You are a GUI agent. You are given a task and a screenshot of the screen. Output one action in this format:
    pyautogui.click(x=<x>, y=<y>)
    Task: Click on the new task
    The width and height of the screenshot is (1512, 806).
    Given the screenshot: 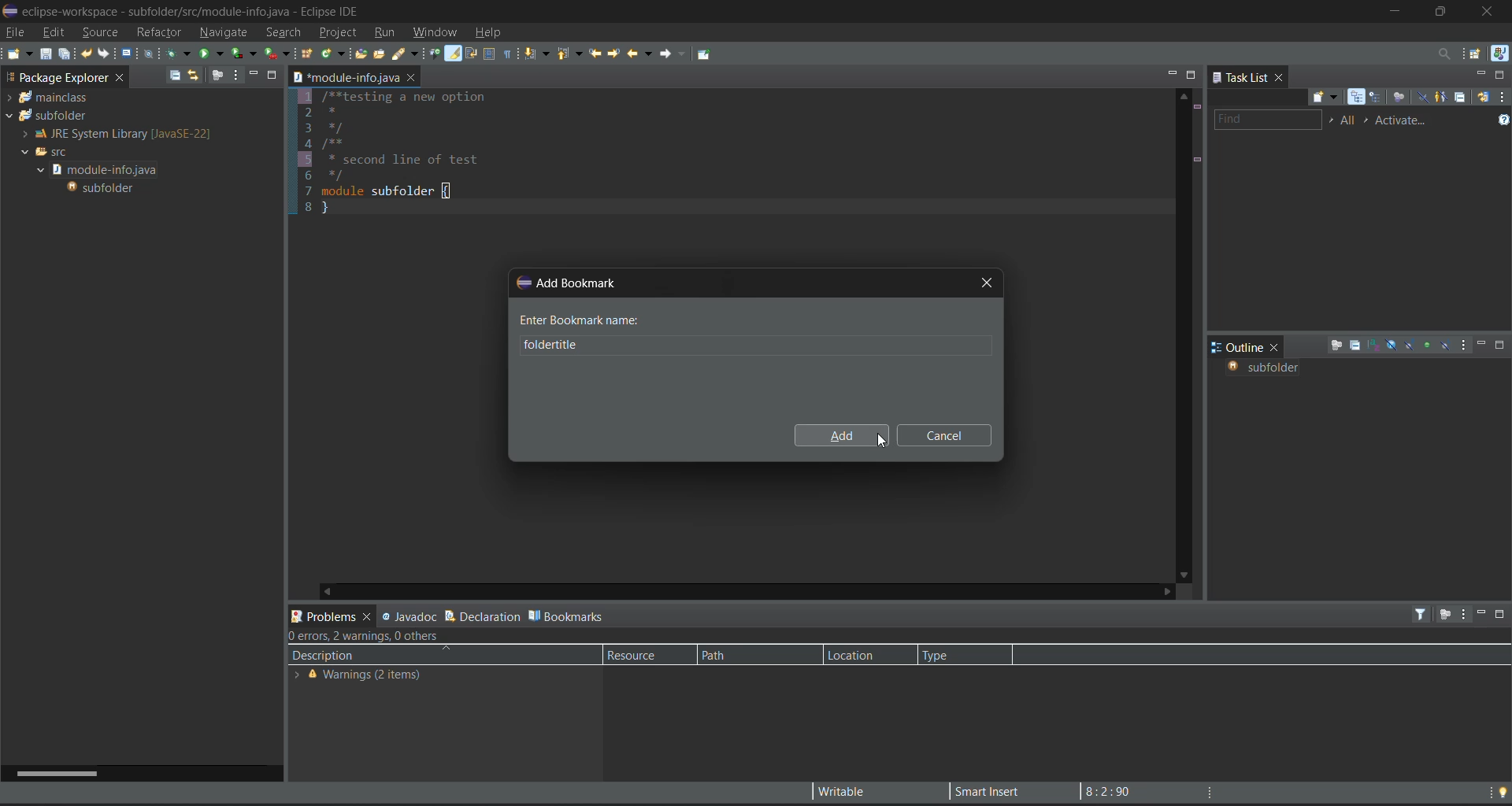 What is the action you would take?
    pyautogui.click(x=1327, y=98)
    